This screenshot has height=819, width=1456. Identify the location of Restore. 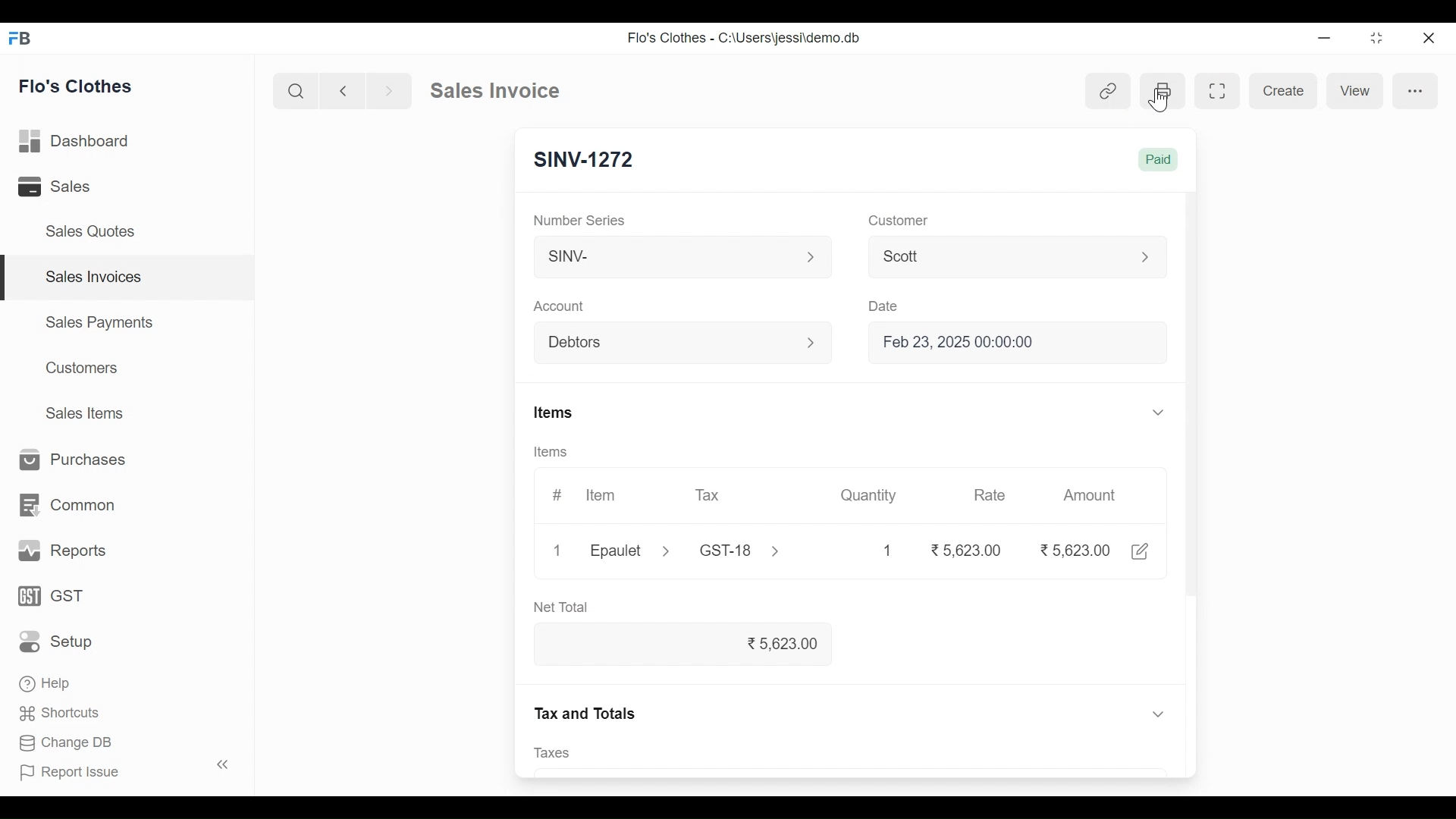
(1379, 39).